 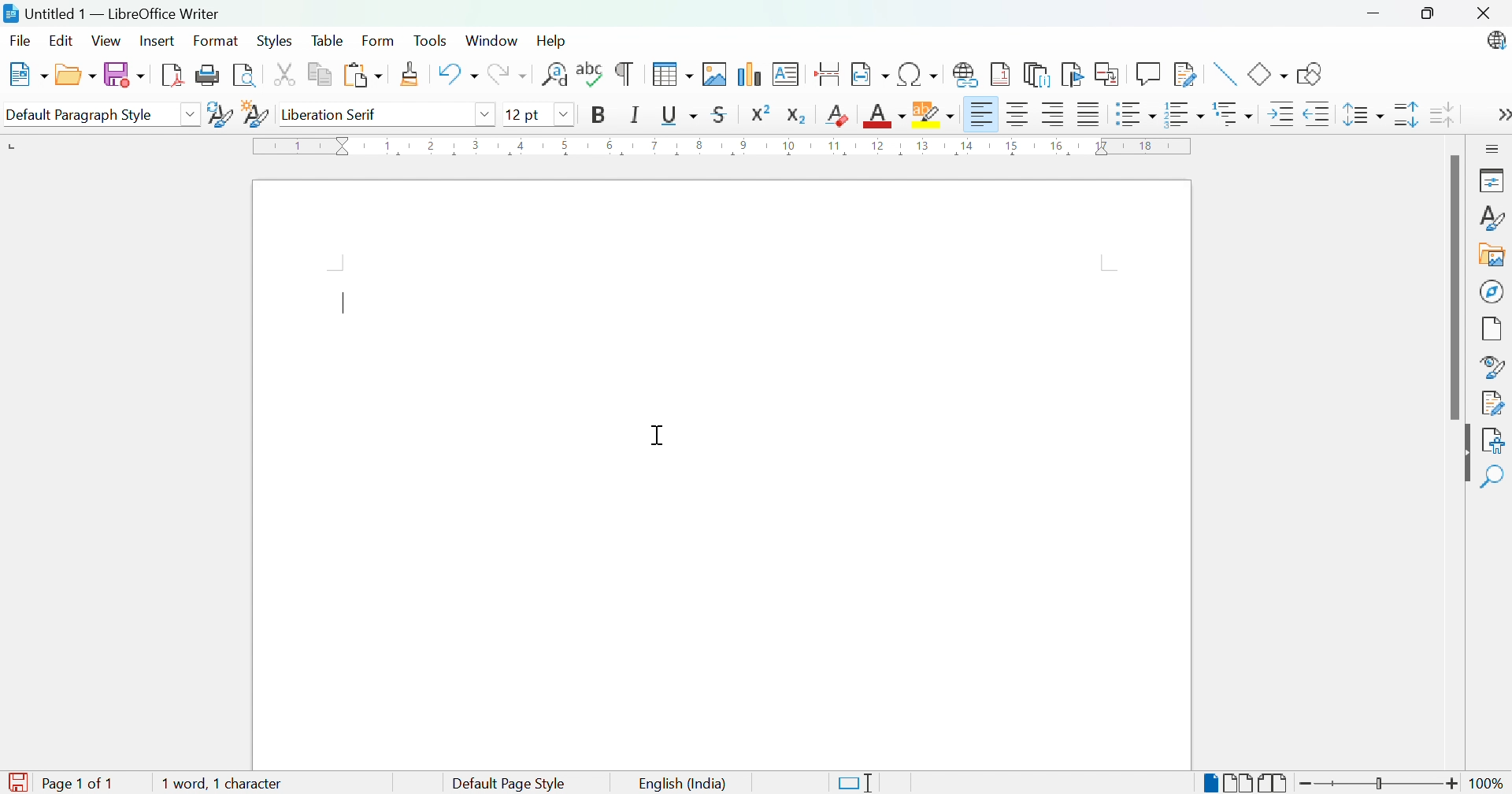 What do you see at coordinates (1314, 75) in the screenshot?
I see `Show draw functions` at bounding box center [1314, 75].